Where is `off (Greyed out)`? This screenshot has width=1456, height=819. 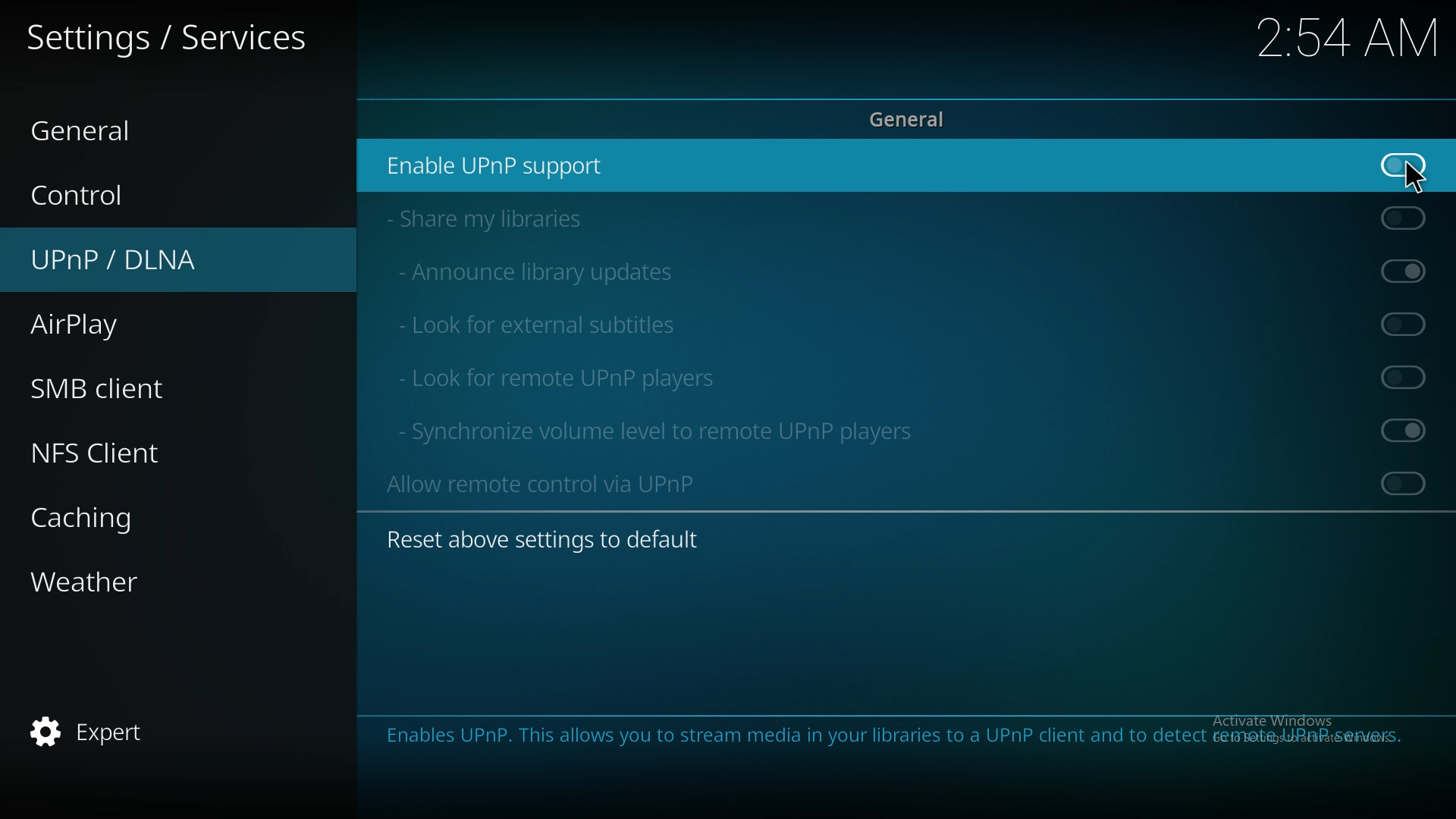
off (Greyed out) is located at coordinates (1404, 324).